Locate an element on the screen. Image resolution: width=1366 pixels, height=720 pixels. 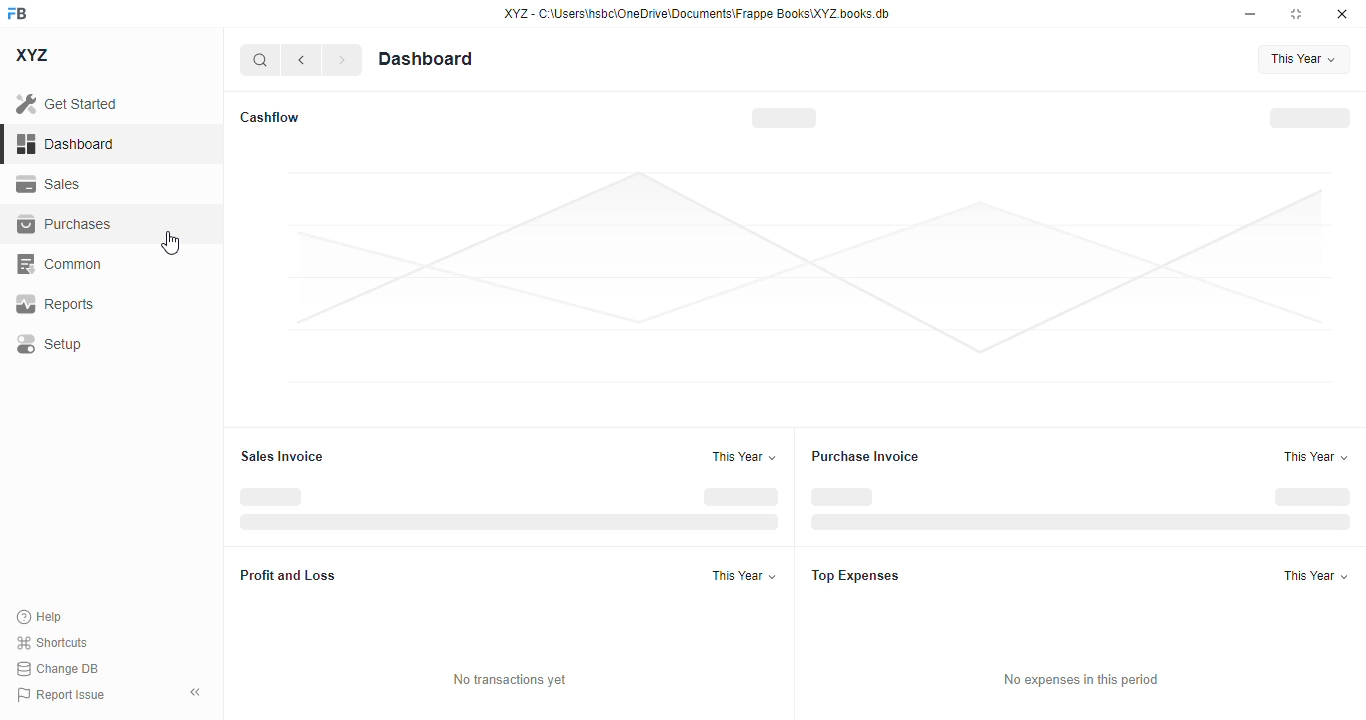
cursor is located at coordinates (169, 243).